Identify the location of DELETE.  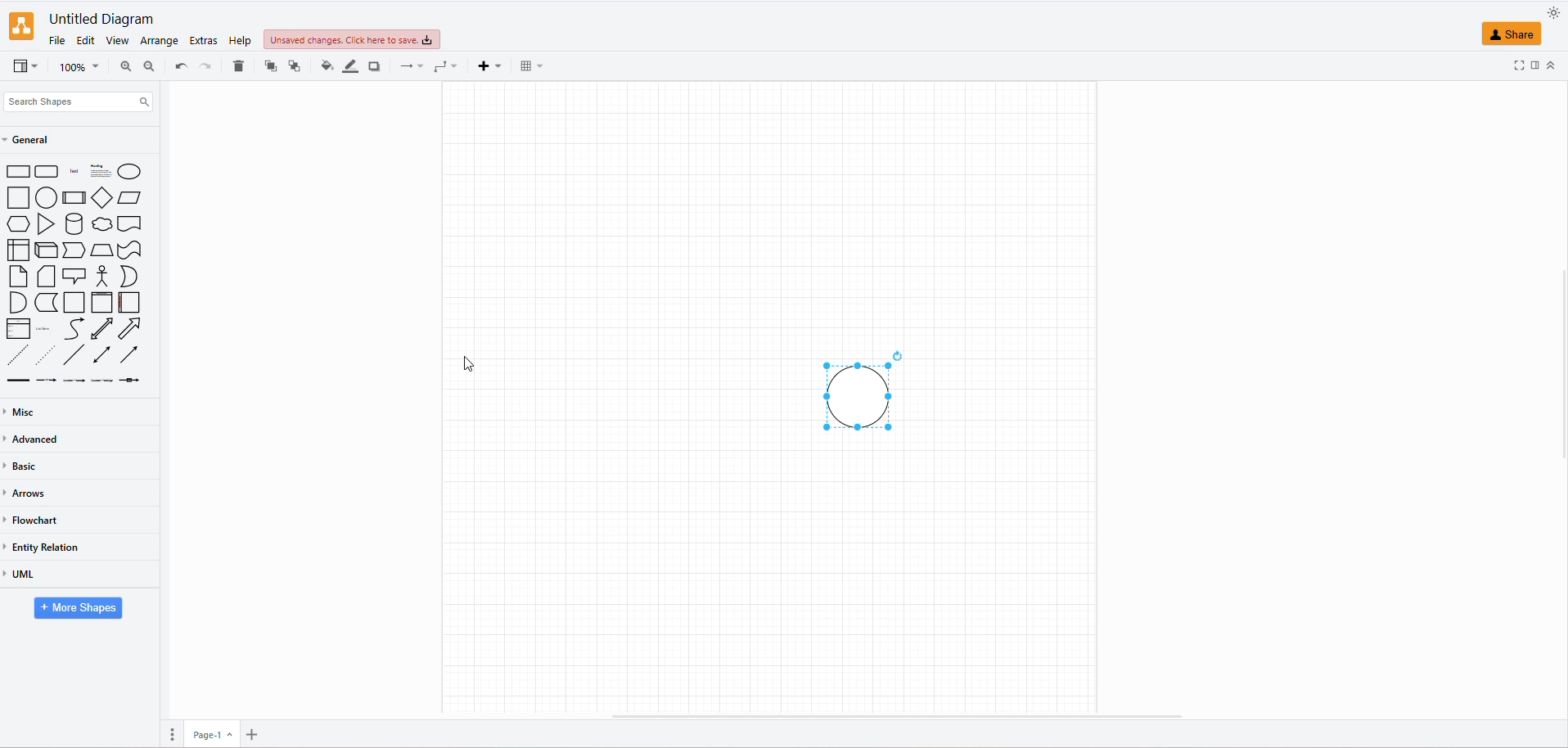
(237, 68).